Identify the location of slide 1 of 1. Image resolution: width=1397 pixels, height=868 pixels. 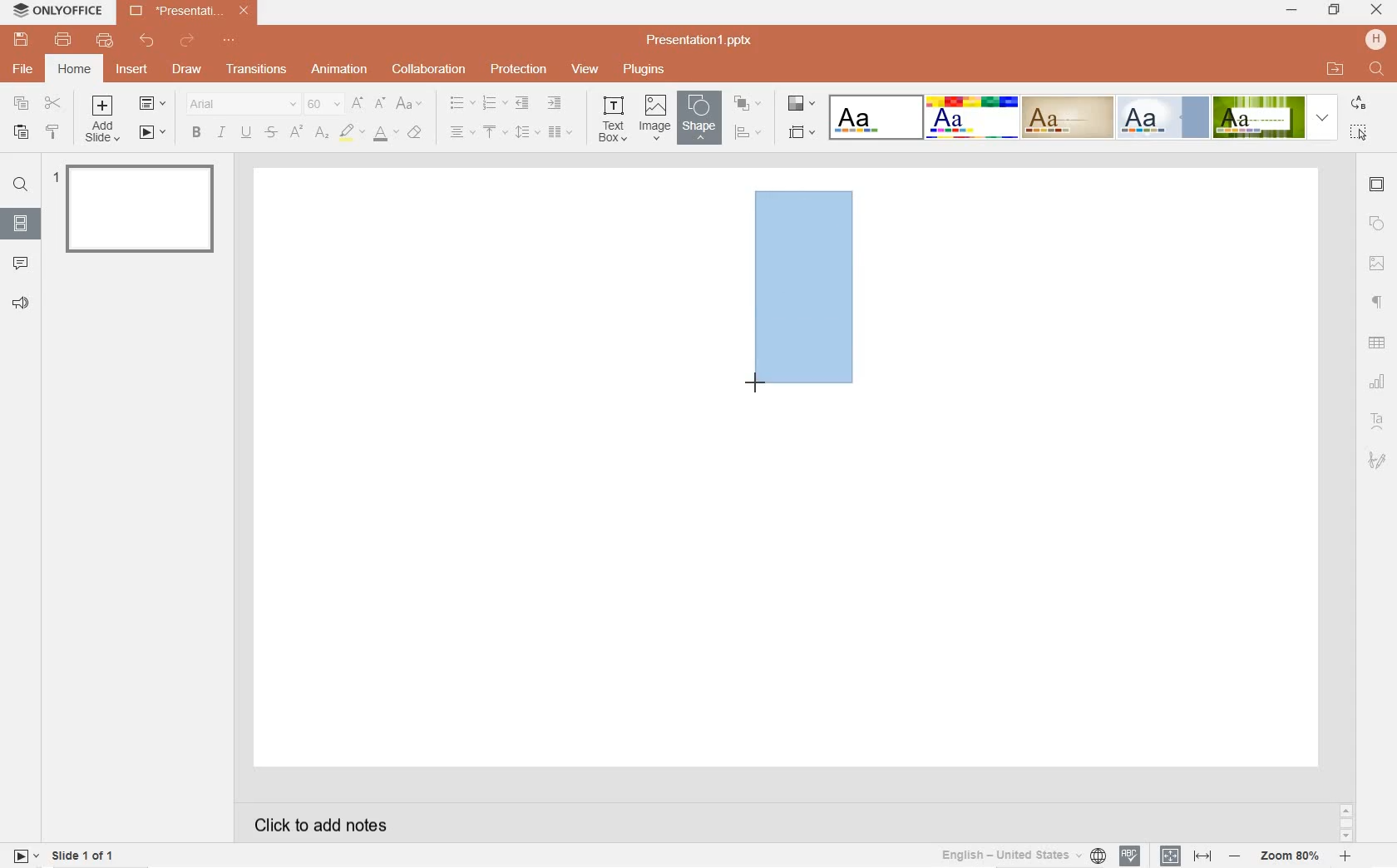
(85, 858).